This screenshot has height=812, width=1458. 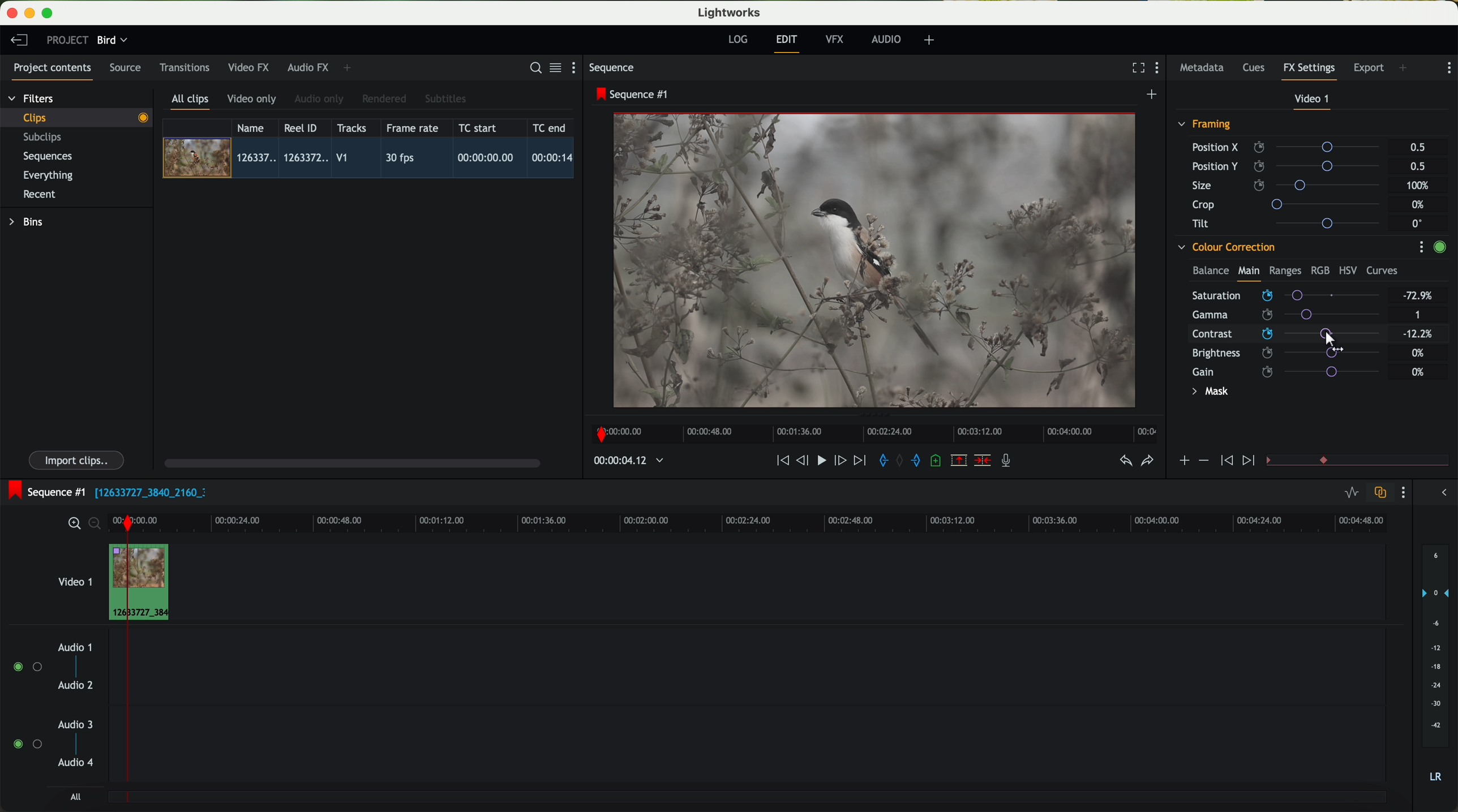 What do you see at coordinates (45, 138) in the screenshot?
I see `subclips` at bounding box center [45, 138].